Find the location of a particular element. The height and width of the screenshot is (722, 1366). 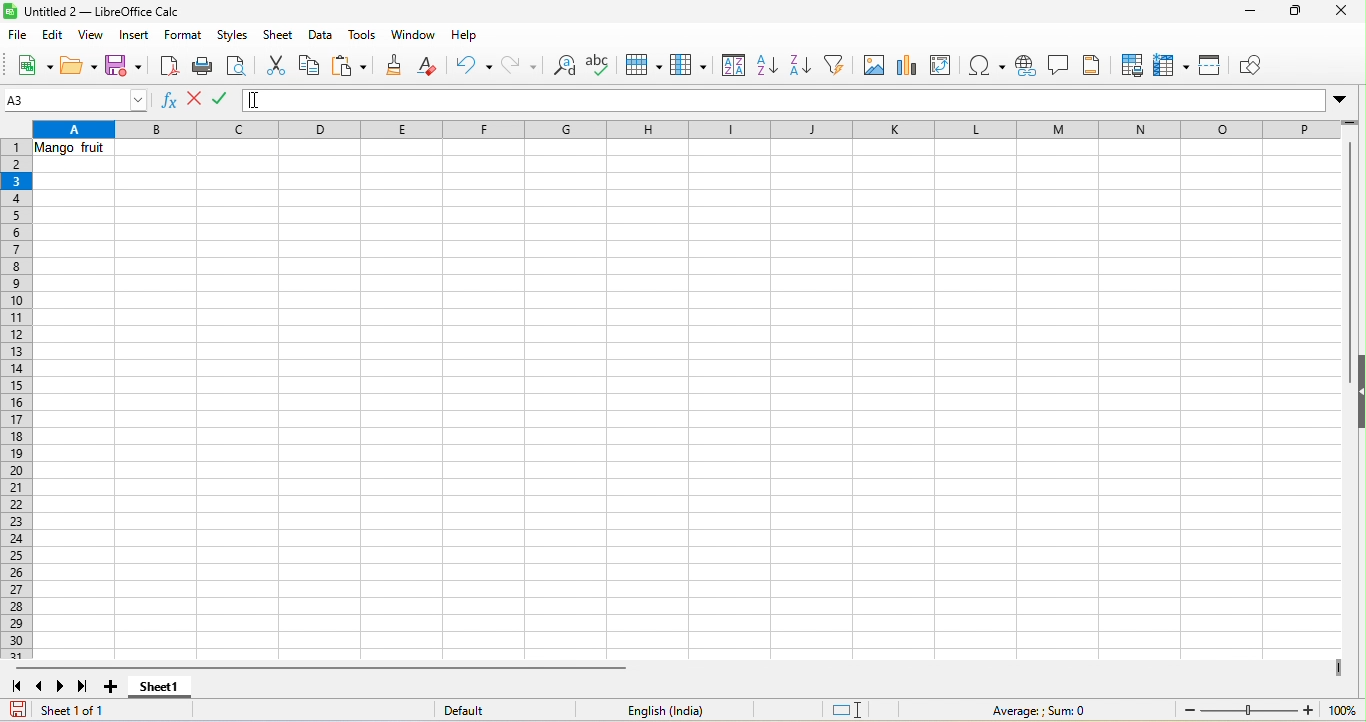

scroll to first sheet is located at coordinates (18, 688).